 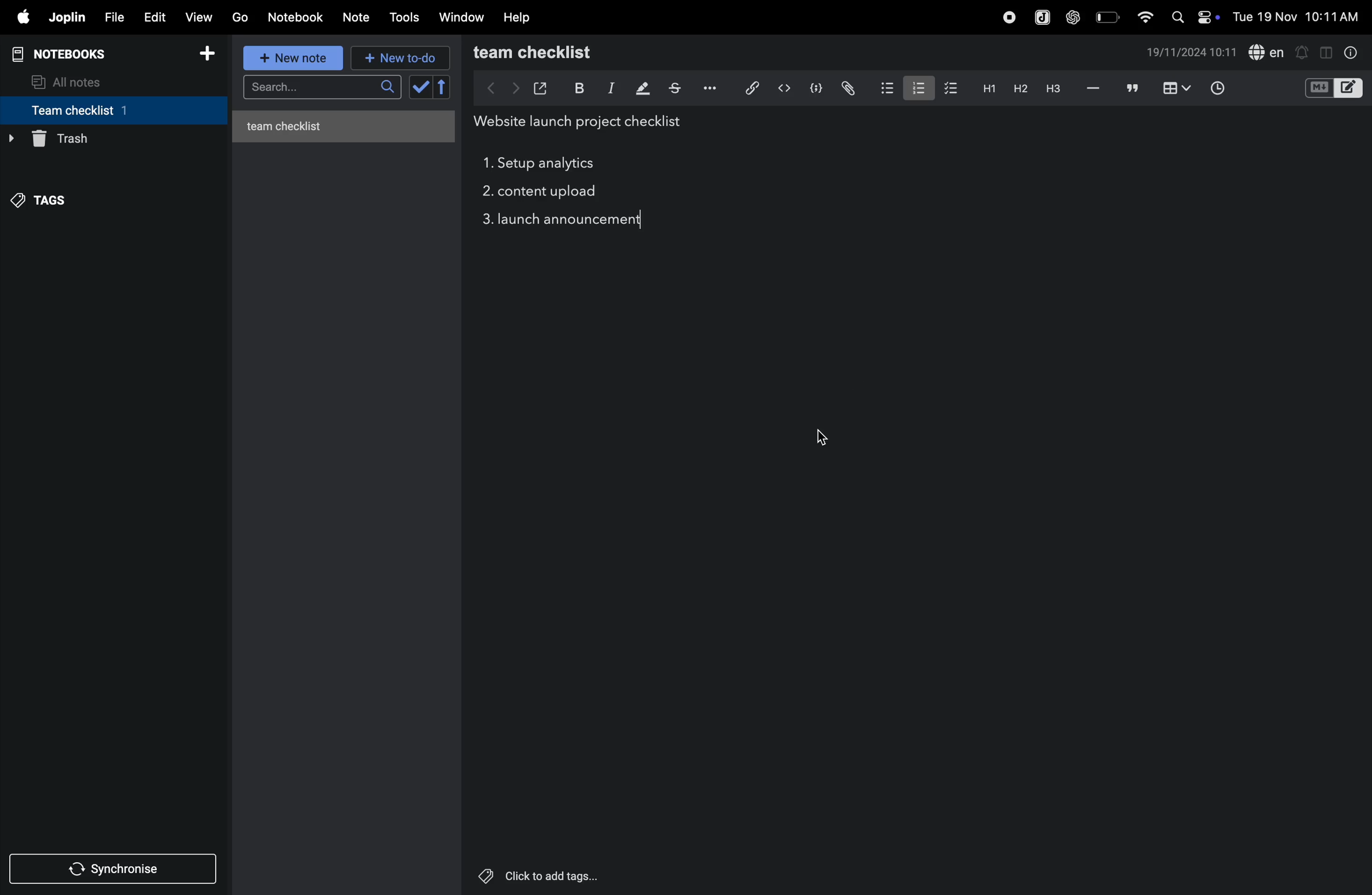 What do you see at coordinates (1005, 17) in the screenshot?
I see `record` at bounding box center [1005, 17].